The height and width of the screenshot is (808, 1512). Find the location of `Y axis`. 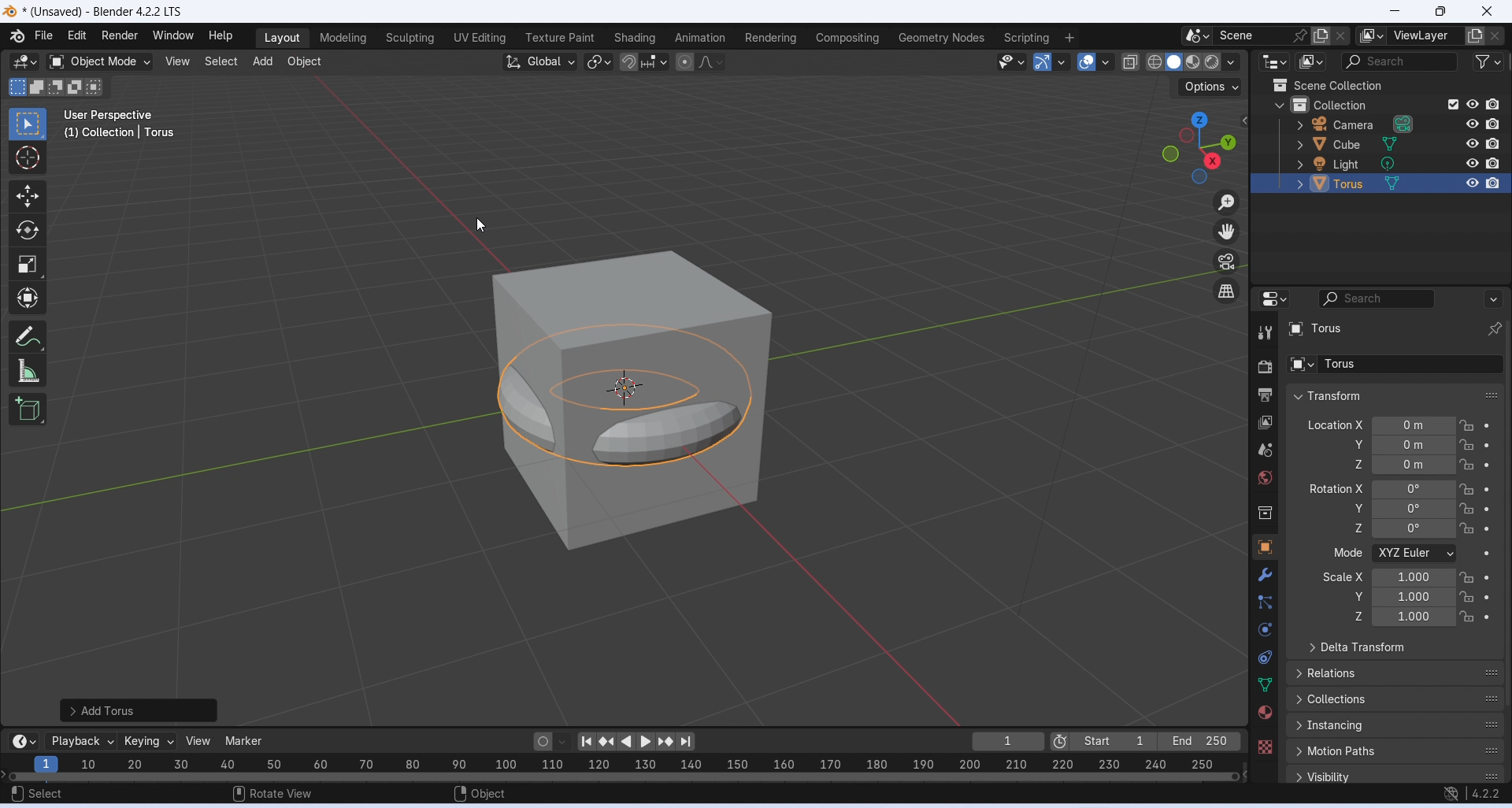

Y axis is located at coordinates (1435, 445).